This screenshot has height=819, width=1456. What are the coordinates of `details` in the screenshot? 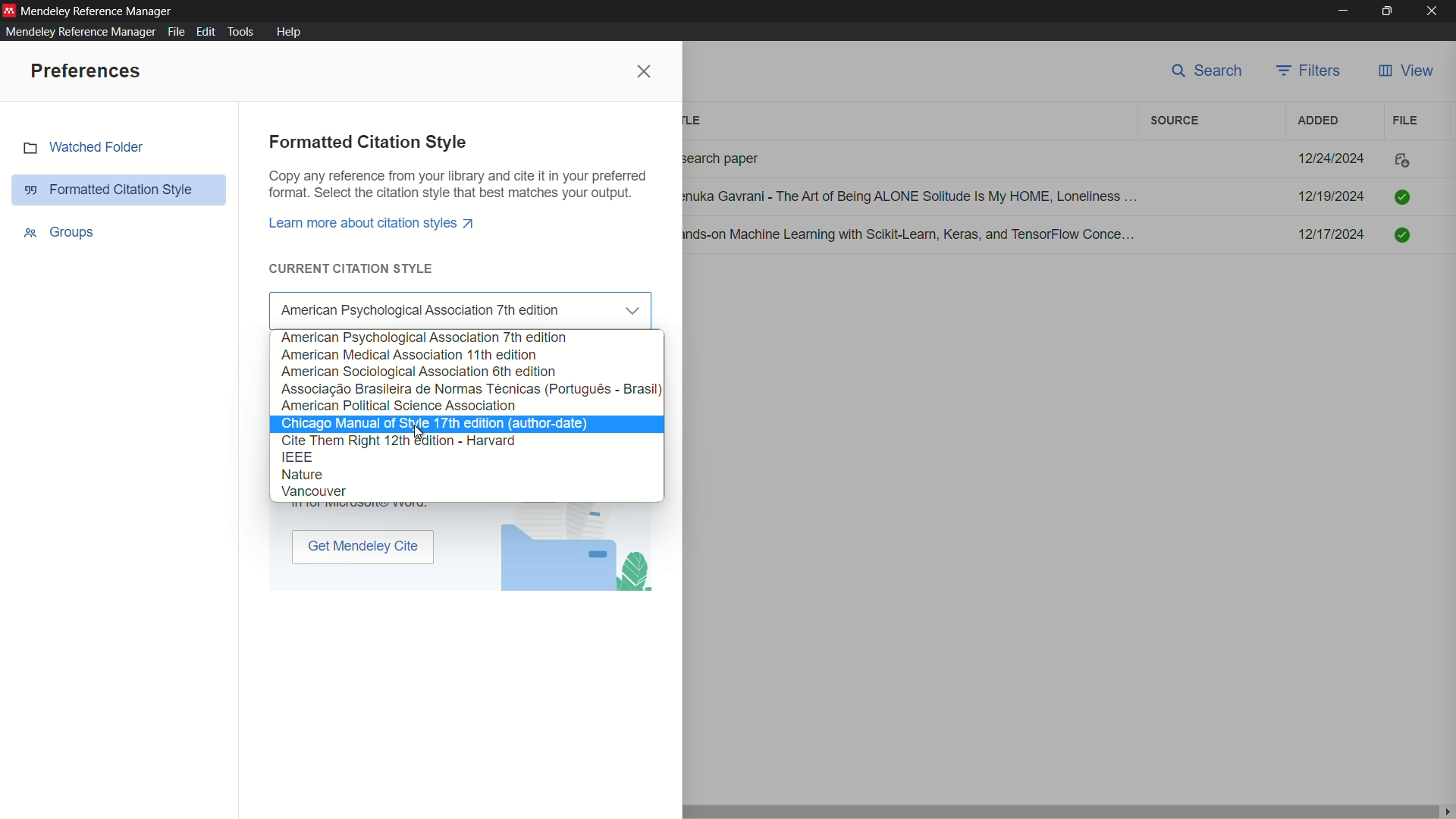 It's located at (1053, 236).